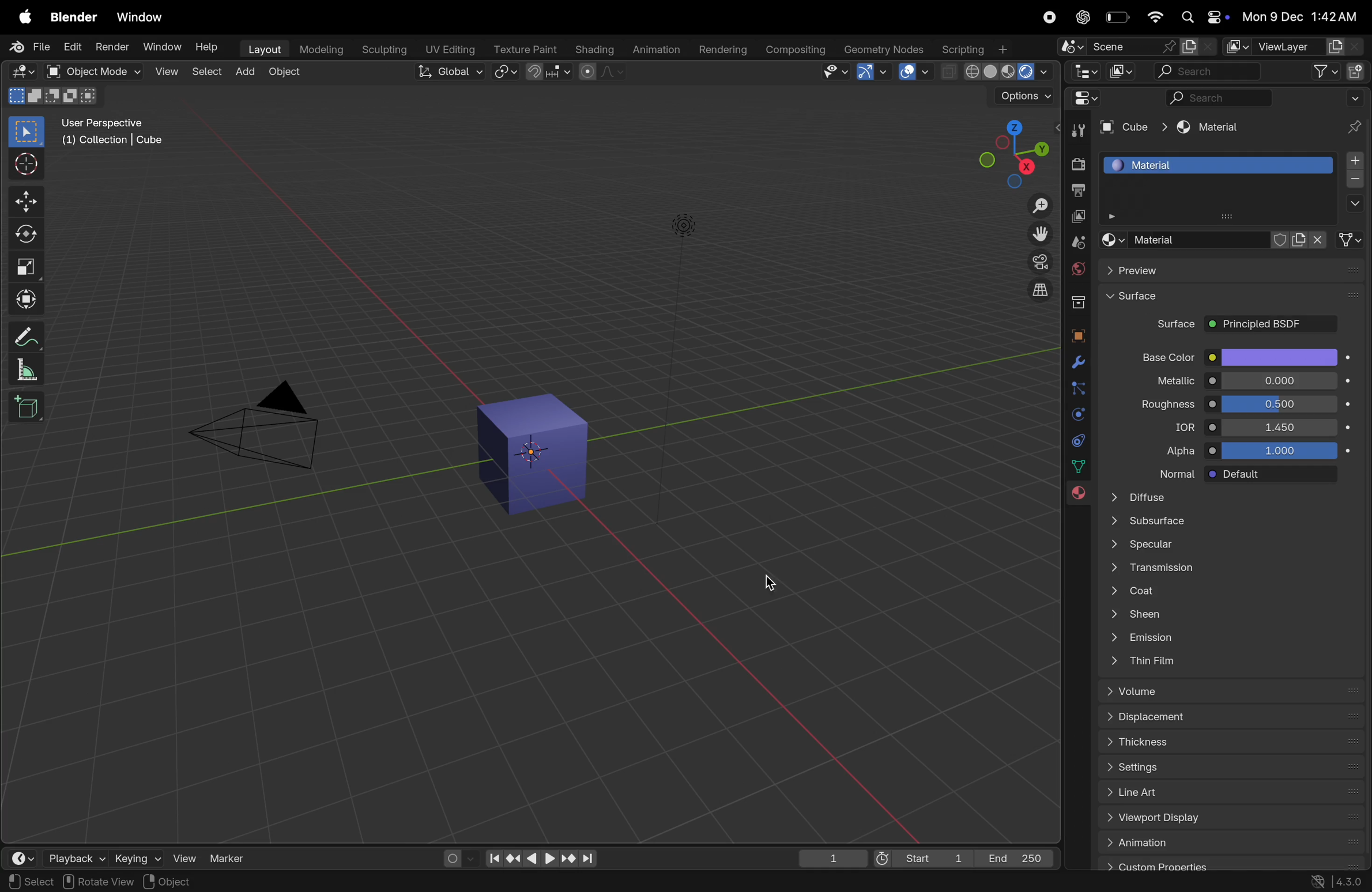 The width and height of the screenshot is (1372, 892). Describe the element at coordinates (1352, 240) in the screenshot. I see `link` at that location.